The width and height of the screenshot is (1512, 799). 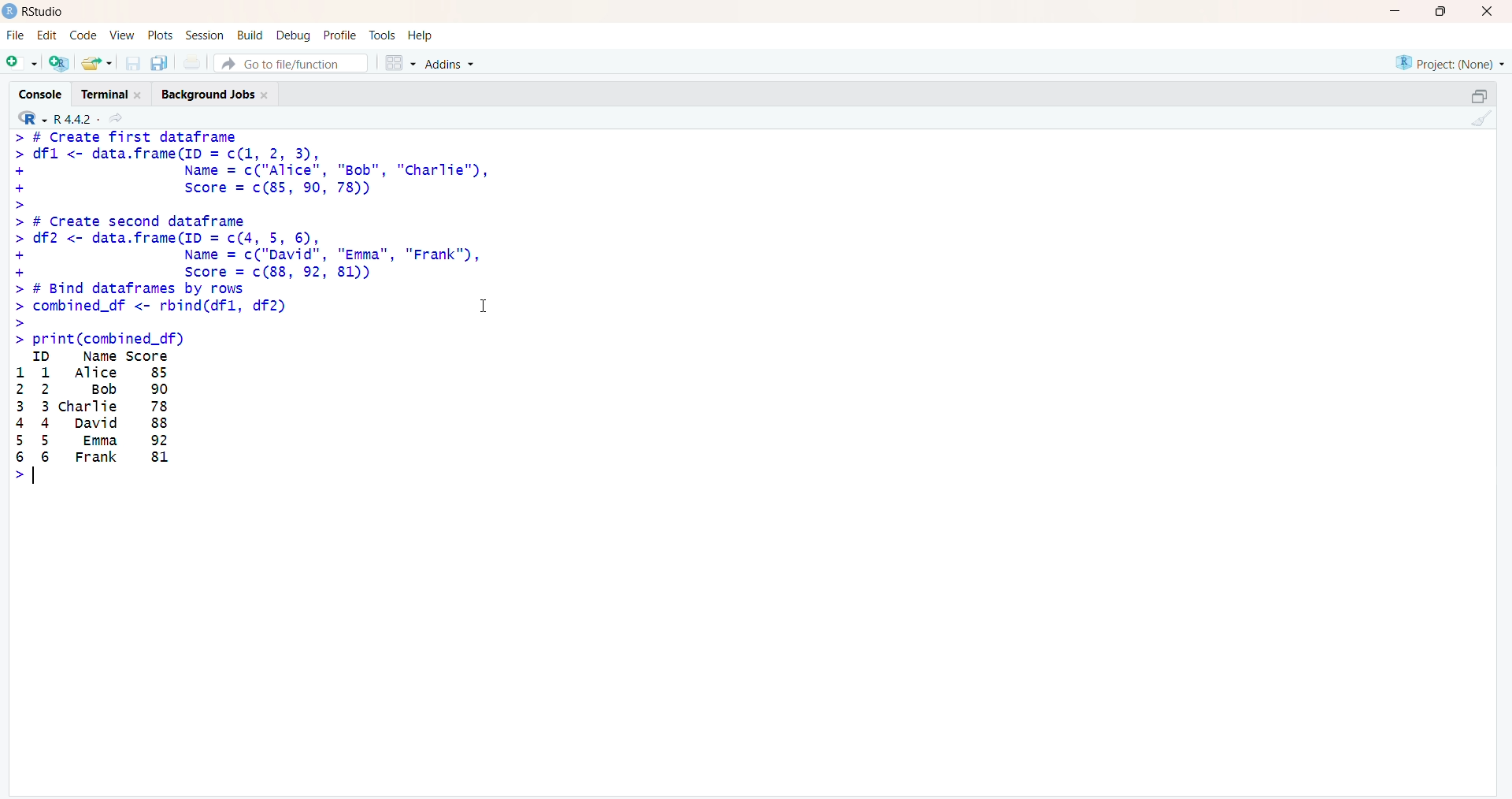 What do you see at coordinates (159, 35) in the screenshot?
I see `Plots` at bounding box center [159, 35].